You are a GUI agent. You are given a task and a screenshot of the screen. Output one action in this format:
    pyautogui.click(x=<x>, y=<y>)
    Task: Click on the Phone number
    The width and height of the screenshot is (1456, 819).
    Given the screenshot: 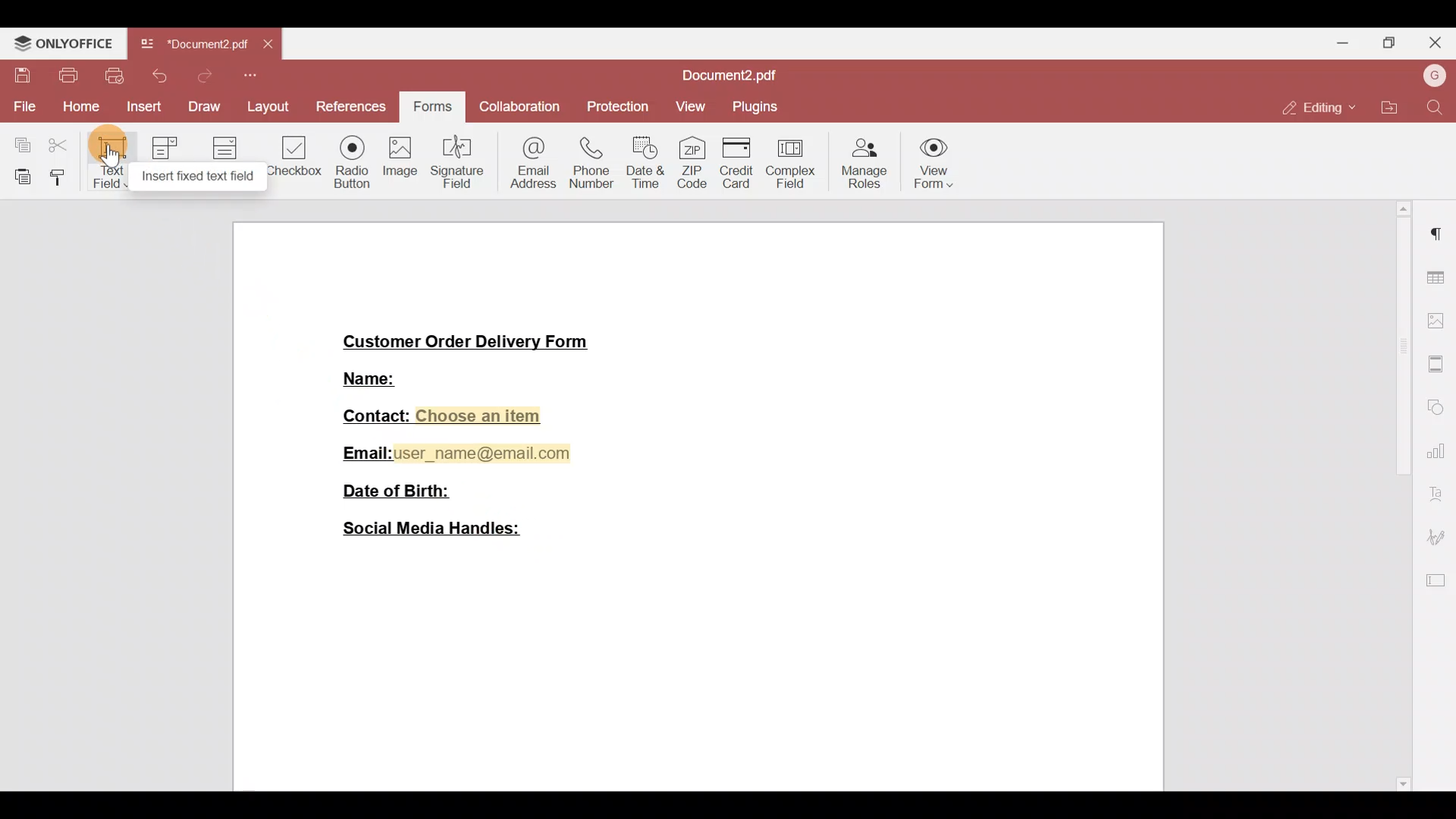 What is the action you would take?
    pyautogui.click(x=586, y=163)
    